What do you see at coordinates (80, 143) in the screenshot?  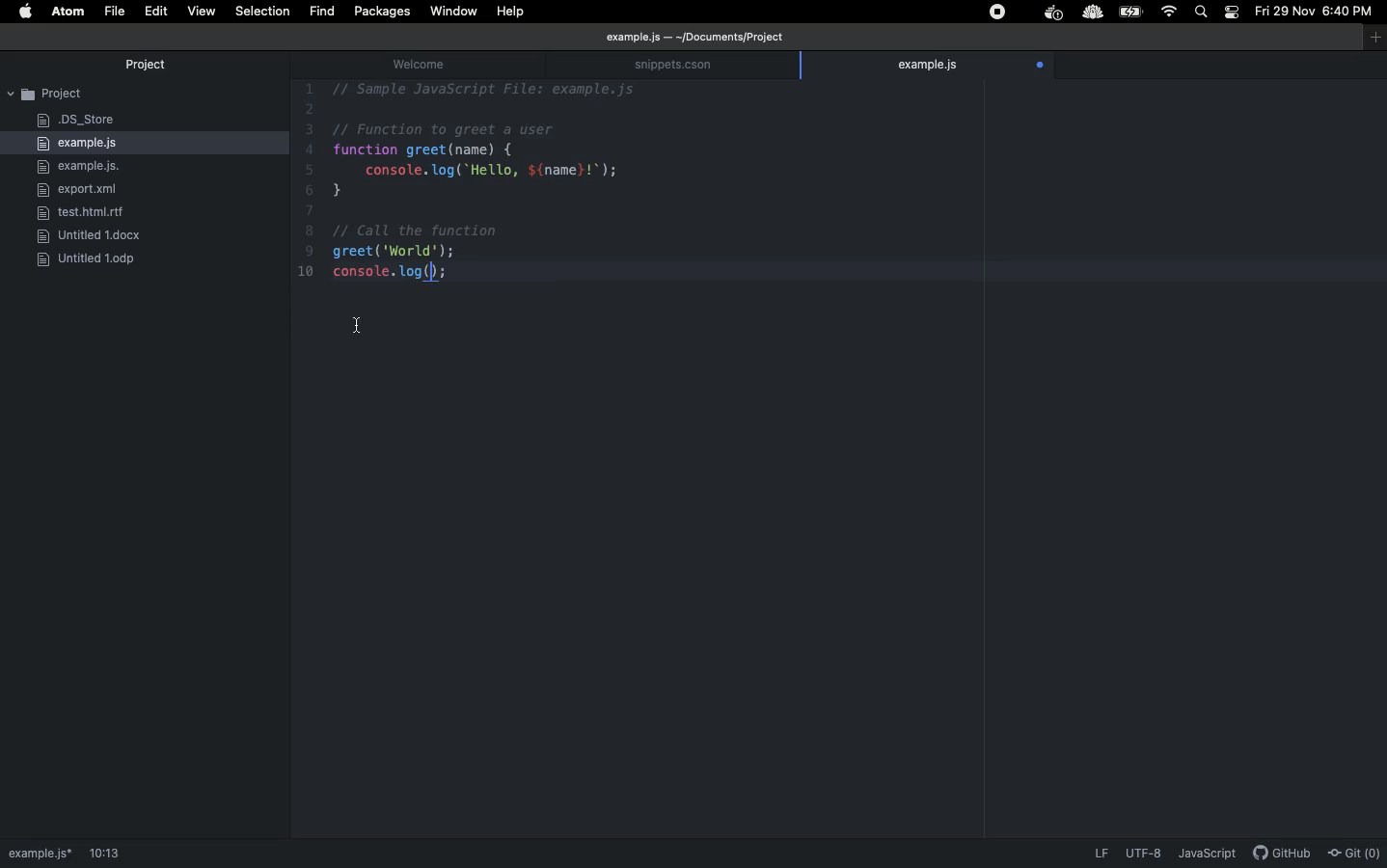 I see `example.js` at bounding box center [80, 143].